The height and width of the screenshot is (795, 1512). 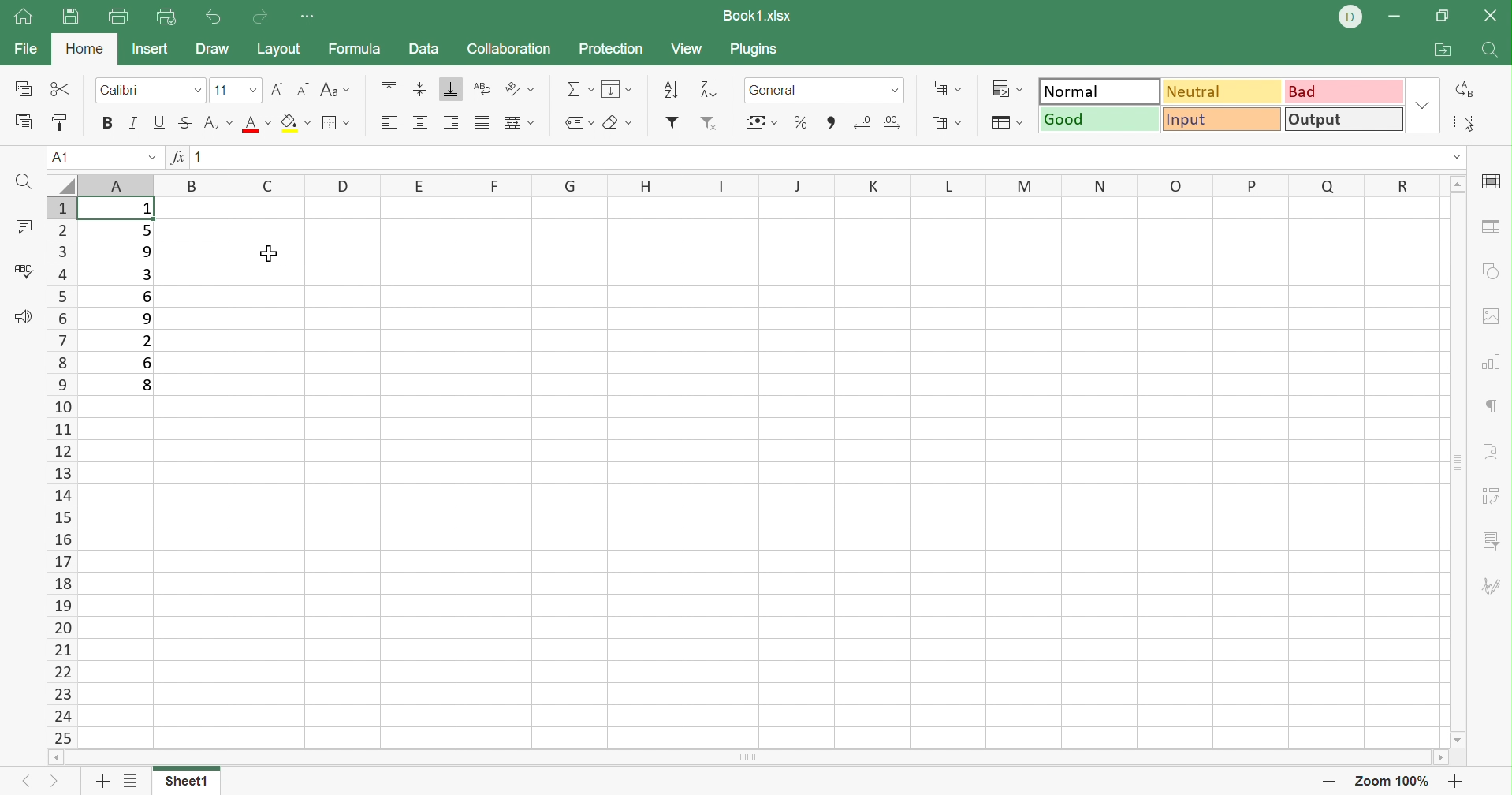 What do you see at coordinates (20, 125) in the screenshot?
I see `Paste` at bounding box center [20, 125].